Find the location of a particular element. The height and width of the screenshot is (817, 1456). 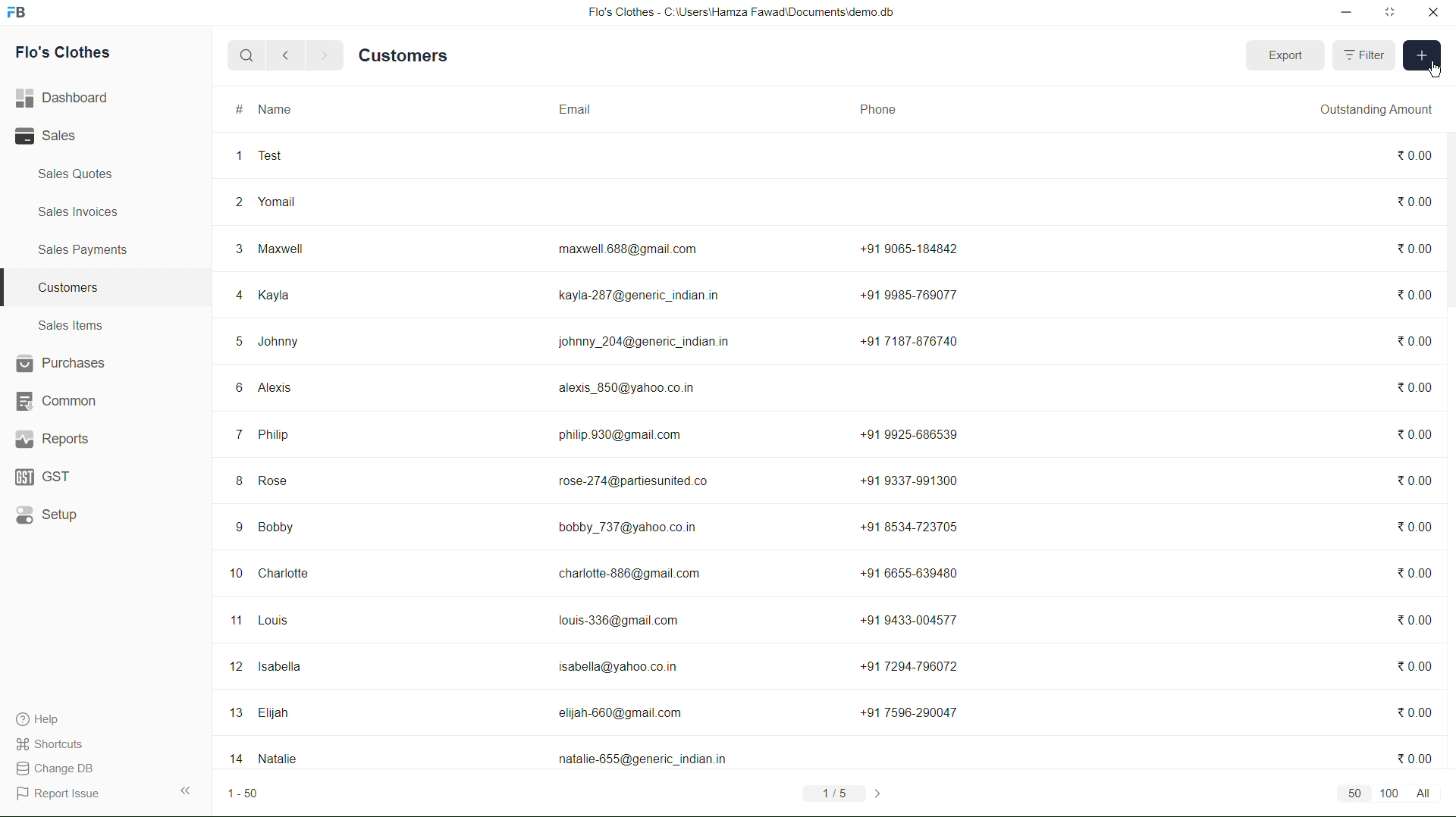

elijah-660@gmail com is located at coordinates (627, 715).